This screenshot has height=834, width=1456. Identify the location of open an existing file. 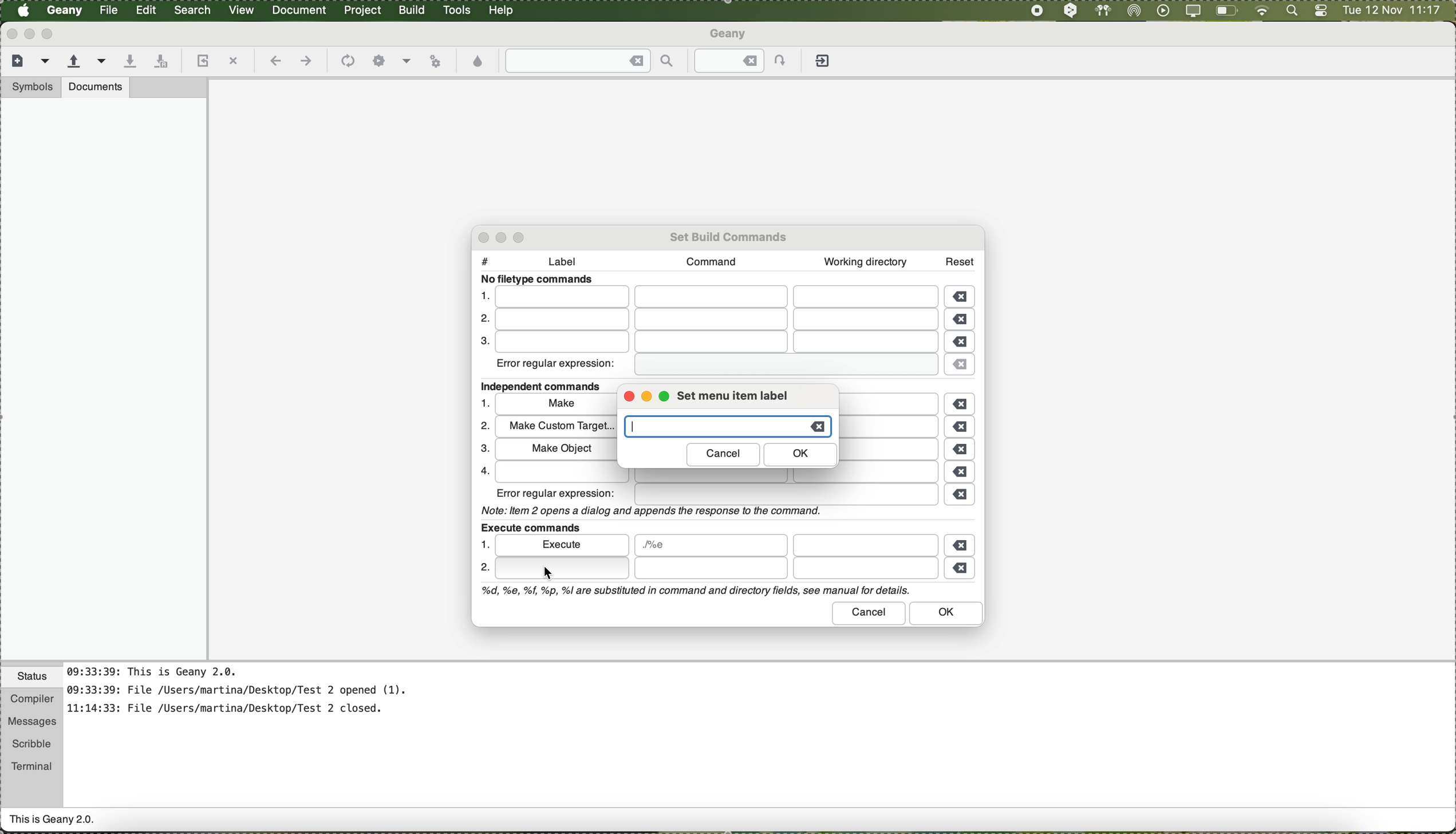
(74, 62).